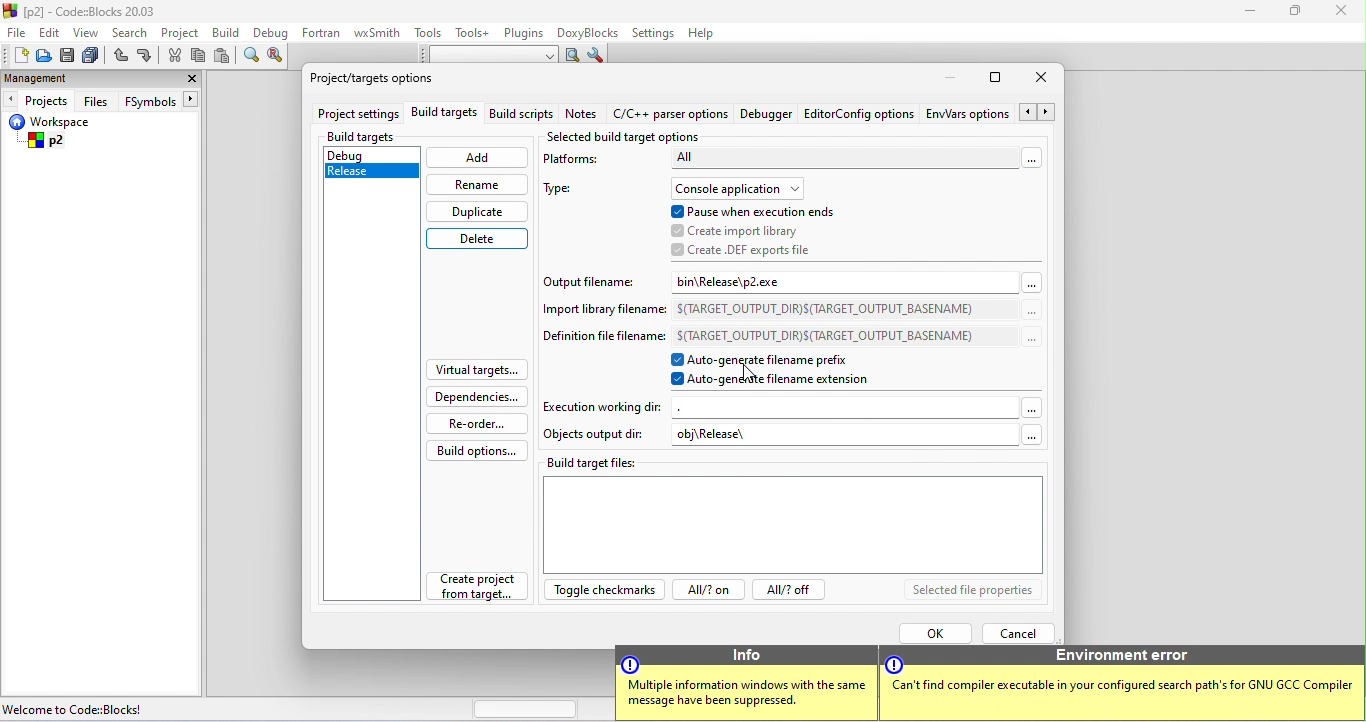  I want to click on all?on, so click(705, 592).